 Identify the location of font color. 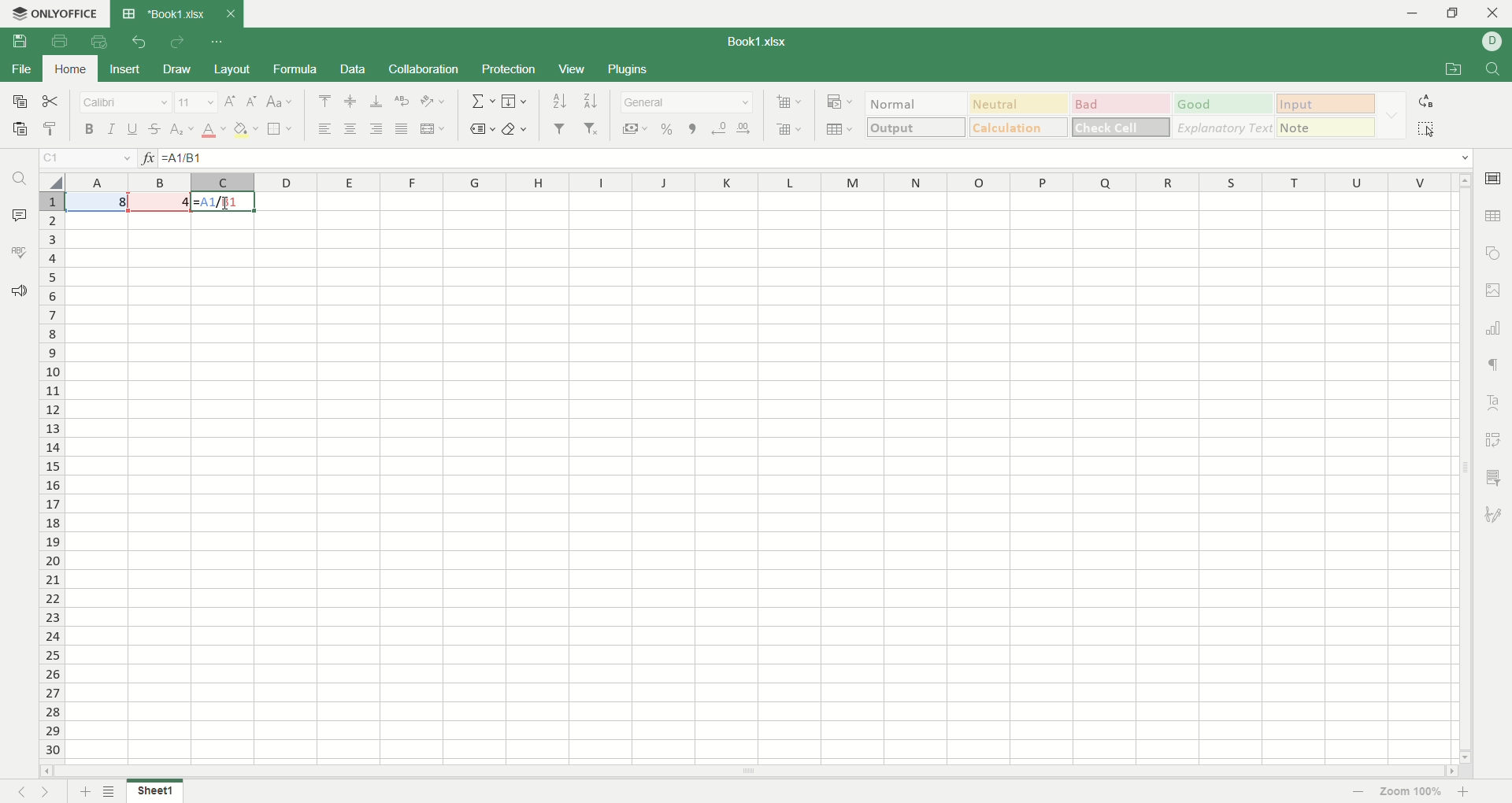
(214, 131).